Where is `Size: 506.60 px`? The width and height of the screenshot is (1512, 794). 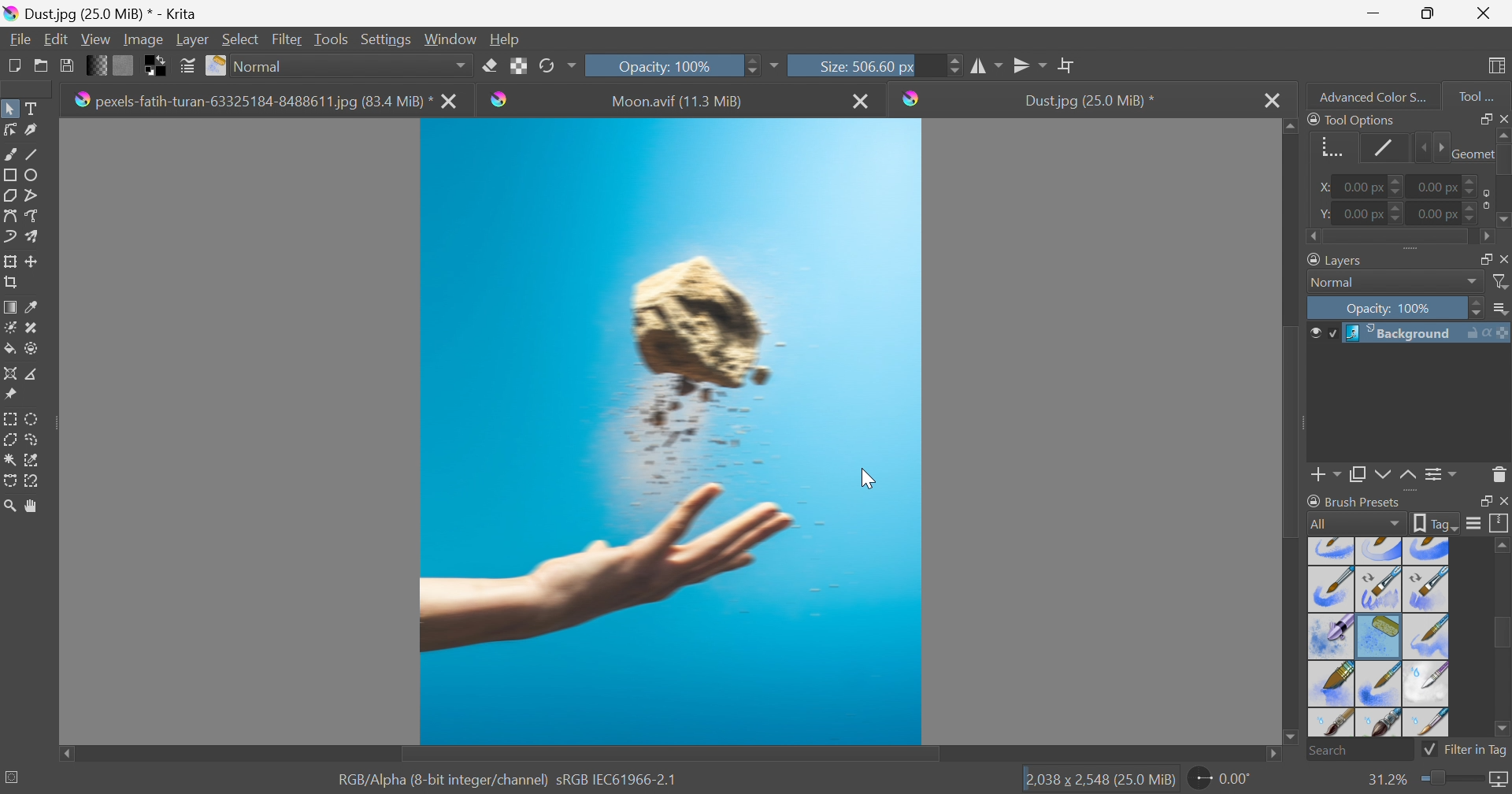
Size: 506.60 px is located at coordinates (841, 65).